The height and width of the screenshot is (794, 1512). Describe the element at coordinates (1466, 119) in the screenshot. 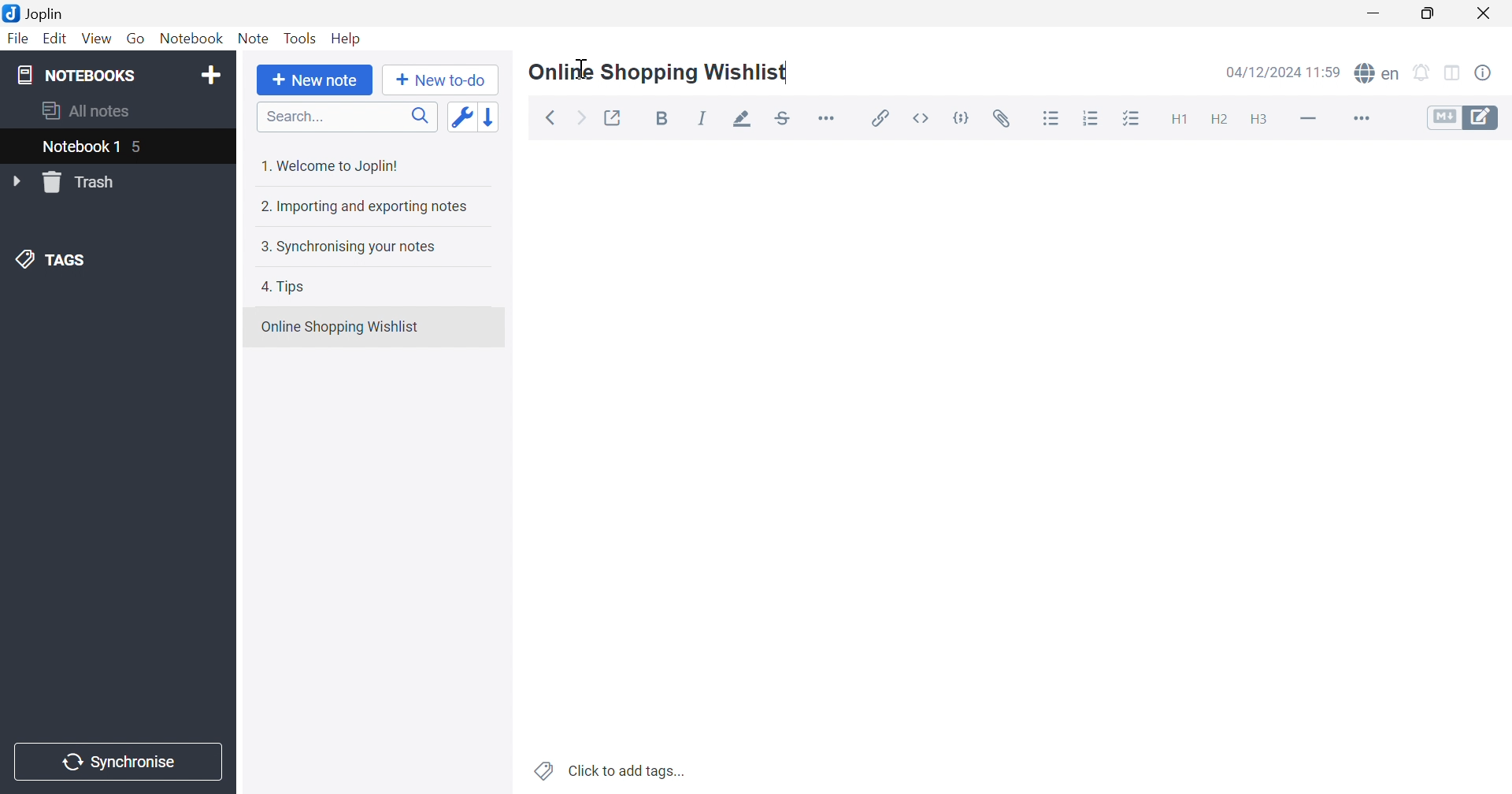

I see `Toggle editors` at that location.